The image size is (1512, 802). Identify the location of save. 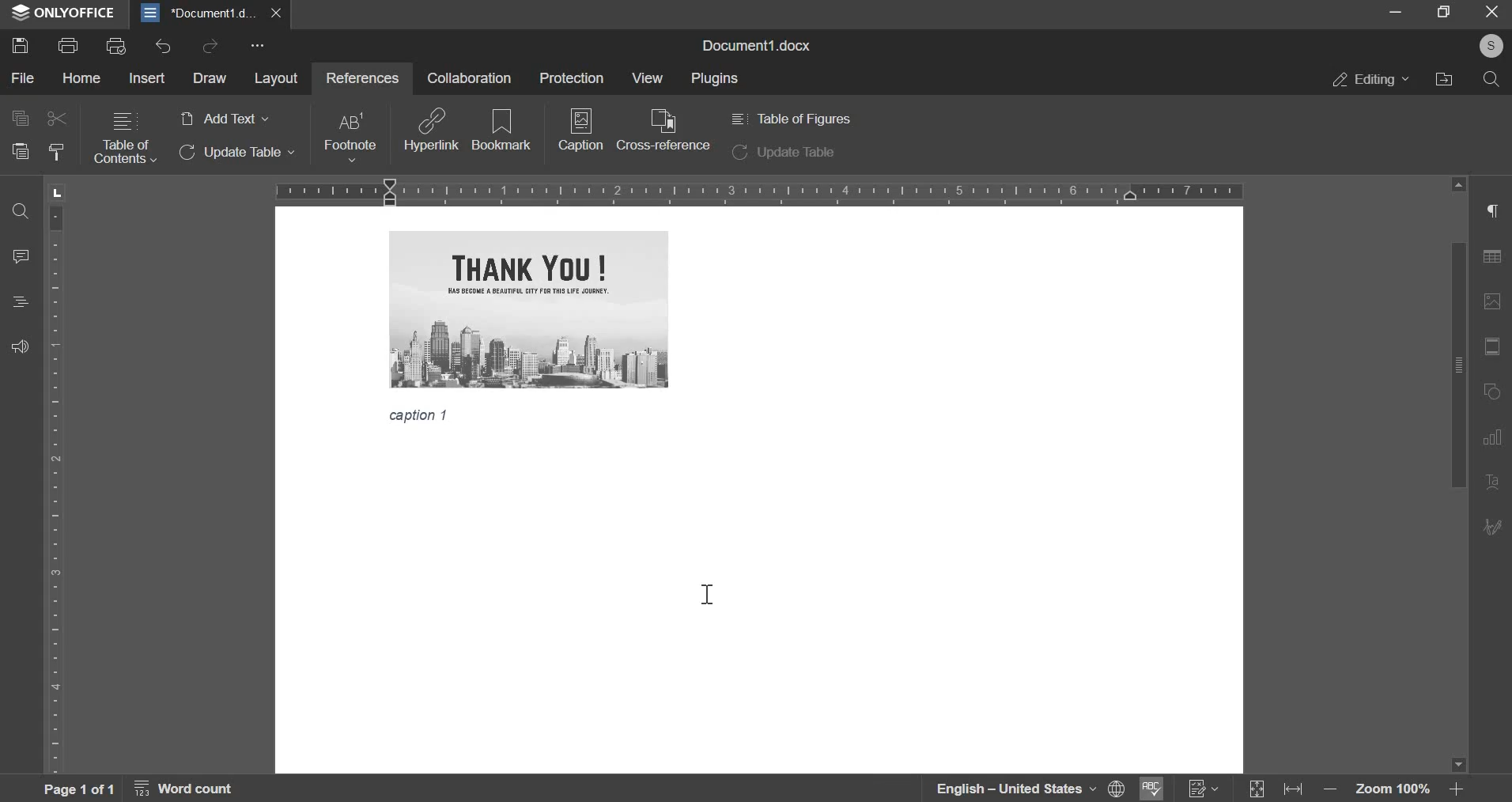
(19, 44).